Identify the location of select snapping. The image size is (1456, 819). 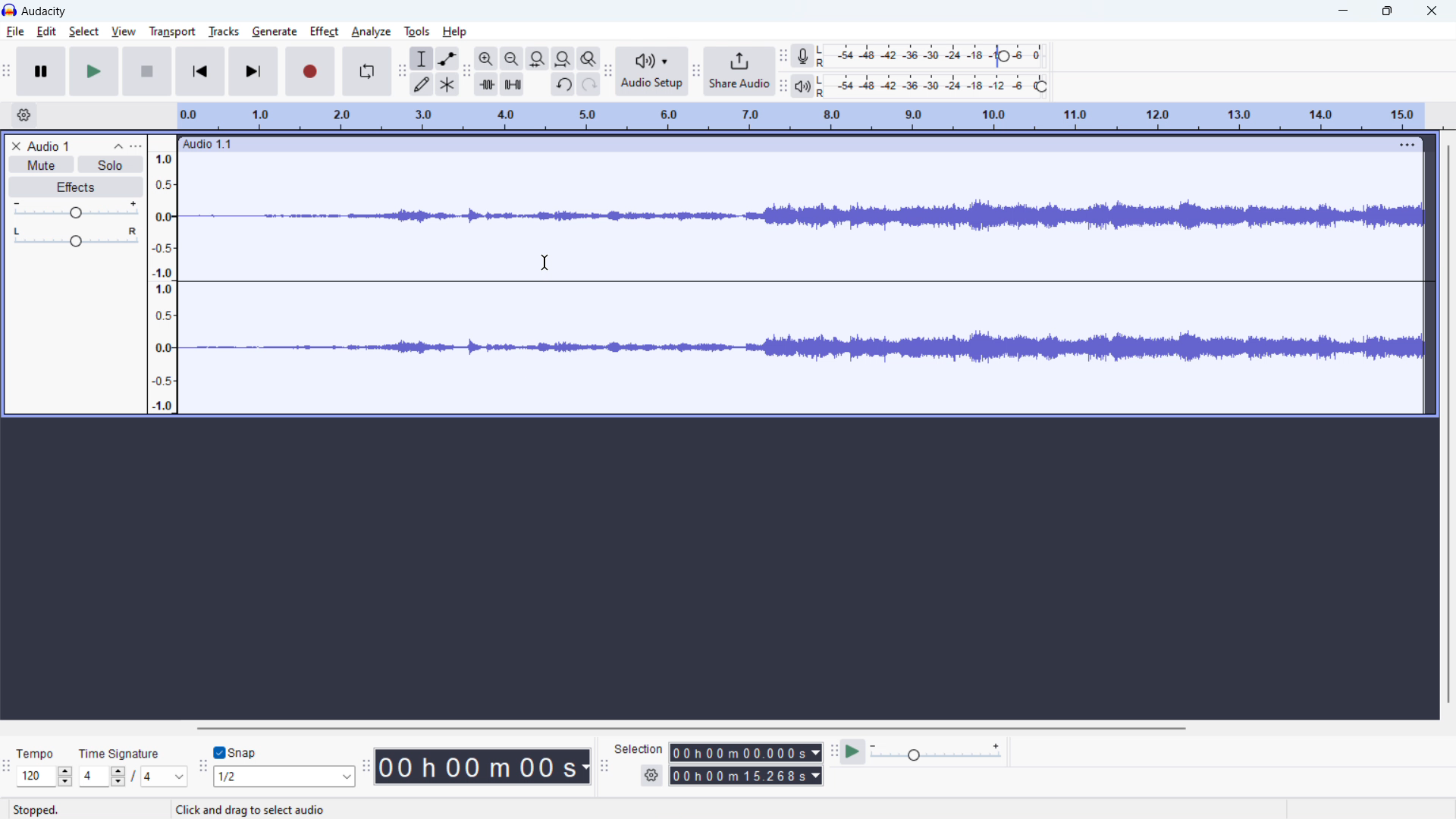
(283, 777).